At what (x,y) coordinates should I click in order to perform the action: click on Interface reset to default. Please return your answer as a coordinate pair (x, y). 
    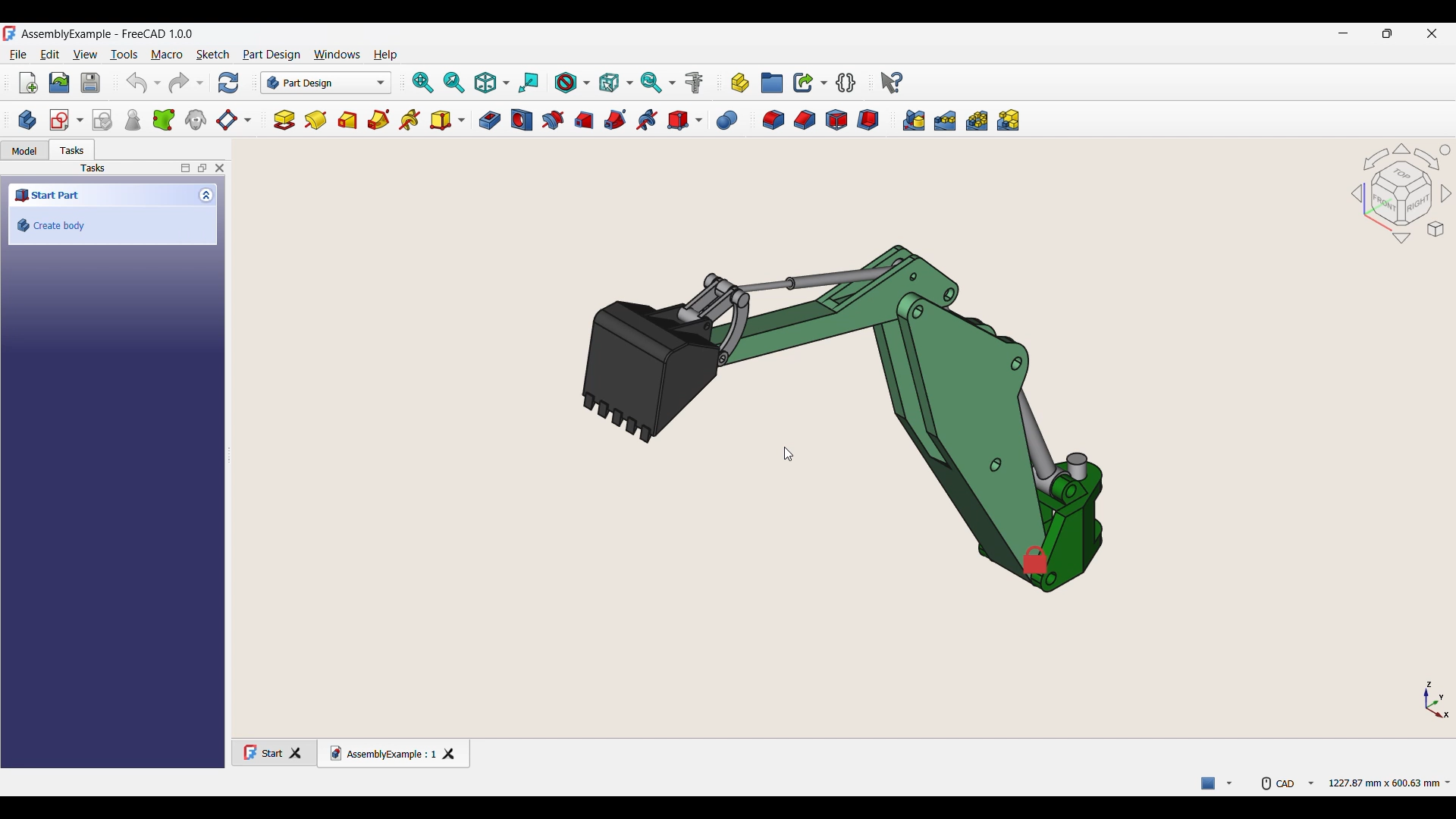
    Looking at the image, I should click on (998, 683).